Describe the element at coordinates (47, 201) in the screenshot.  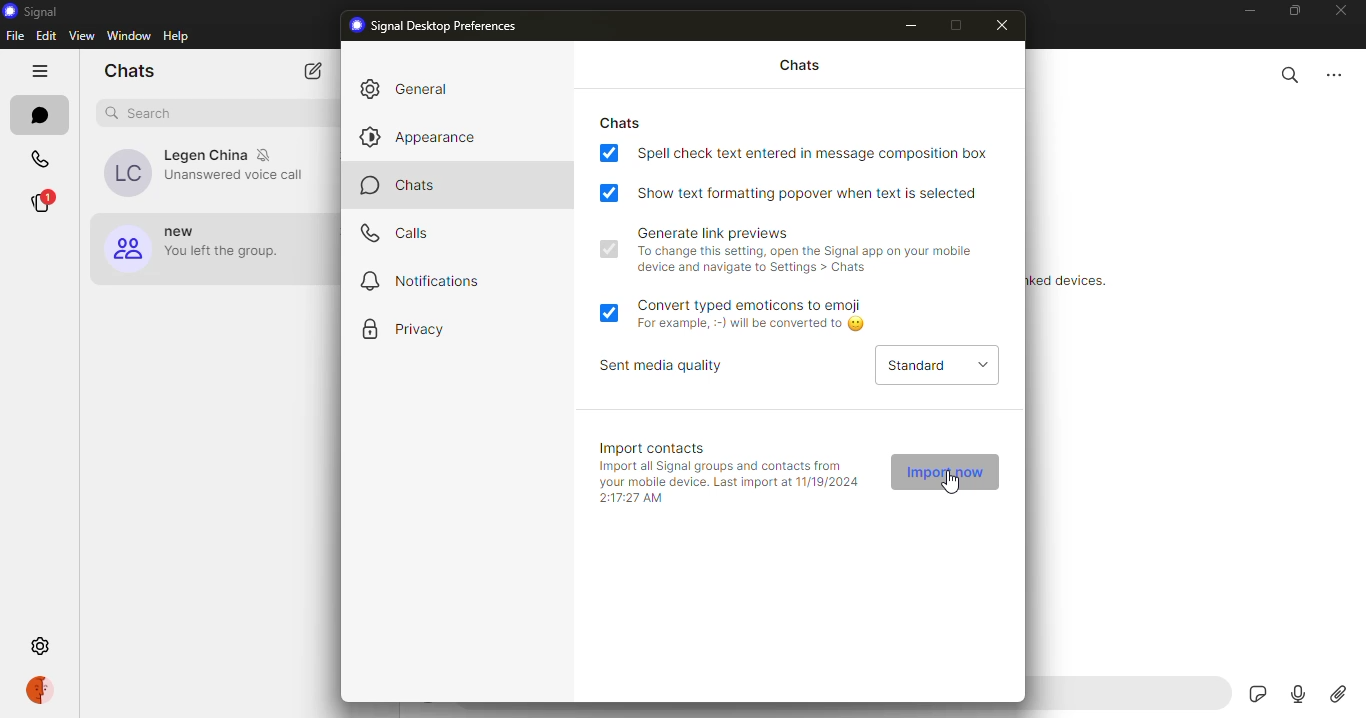
I see `stories` at that location.